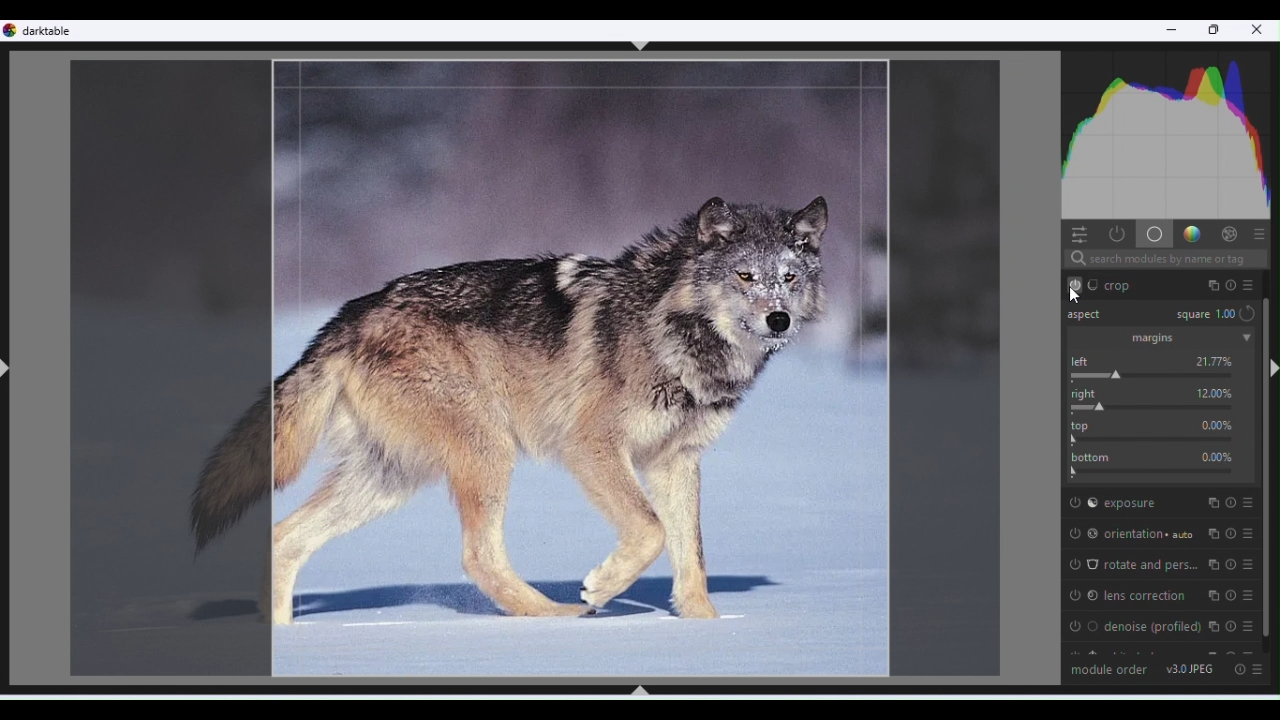 This screenshot has height=720, width=1280. I want to click on crop, so click(1168, 283).